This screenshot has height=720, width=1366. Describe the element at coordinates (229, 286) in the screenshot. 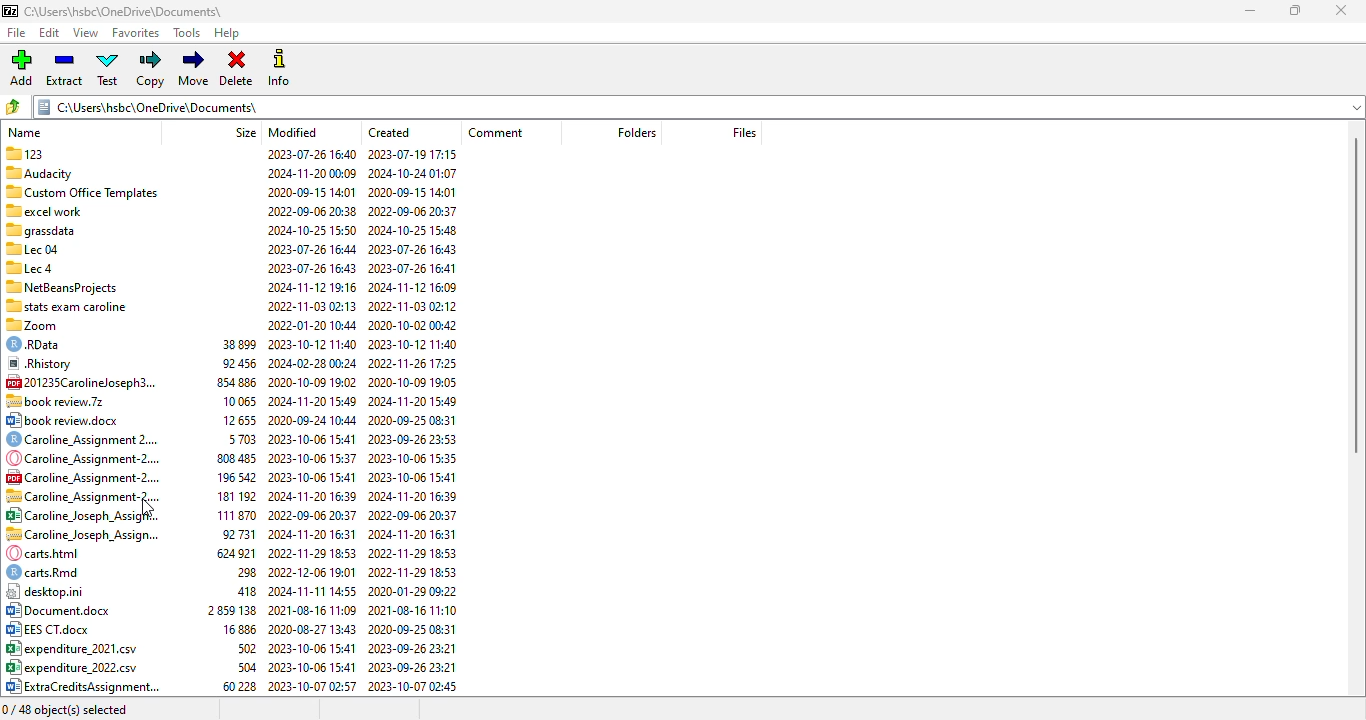

I see `*™ NetBeansProiects 2024-11-12 19:16 2024-11-12 16:09` at that location.